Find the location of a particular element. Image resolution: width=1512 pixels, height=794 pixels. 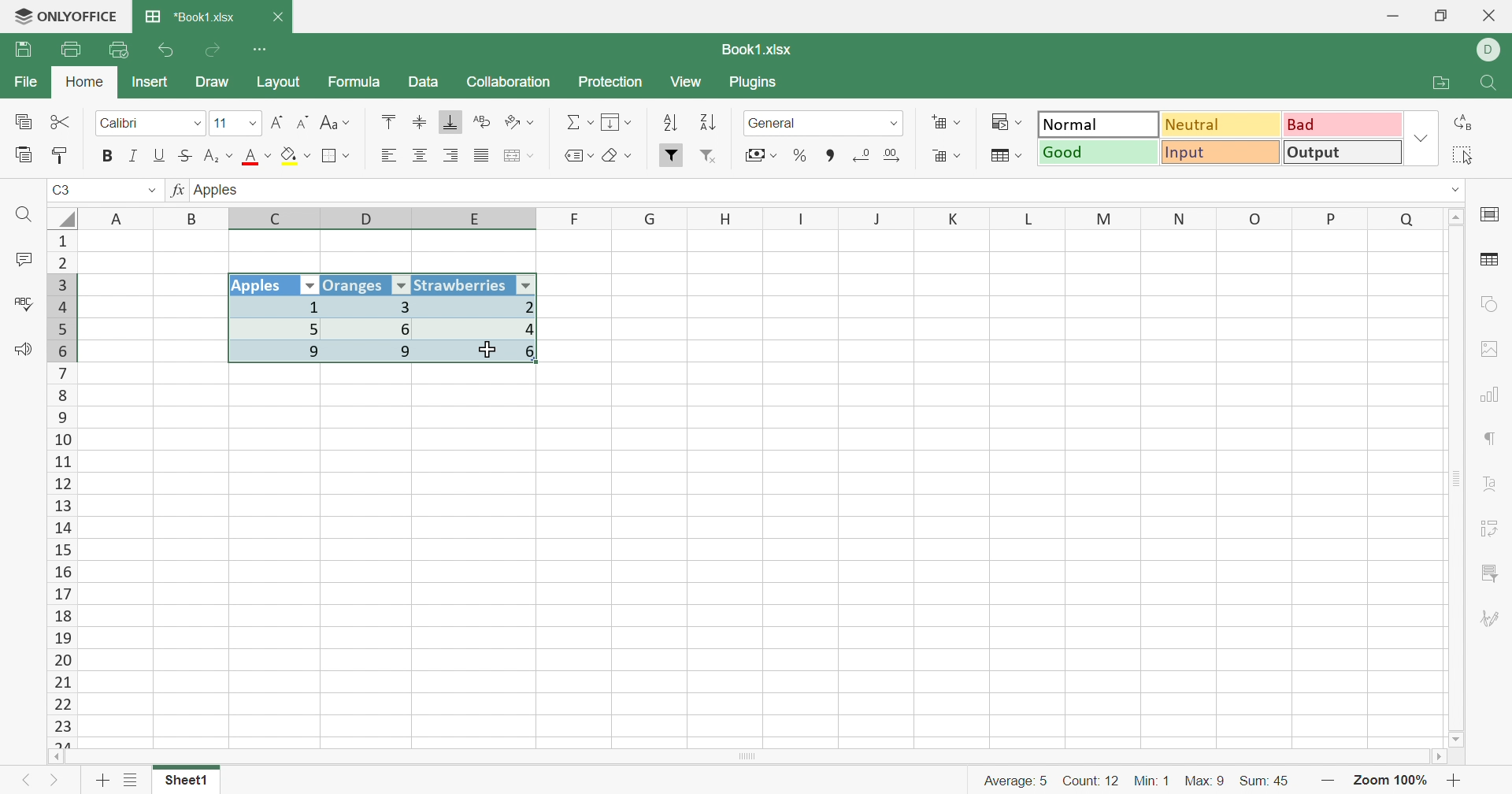

Quick Print is located at coordinates (120, 50).